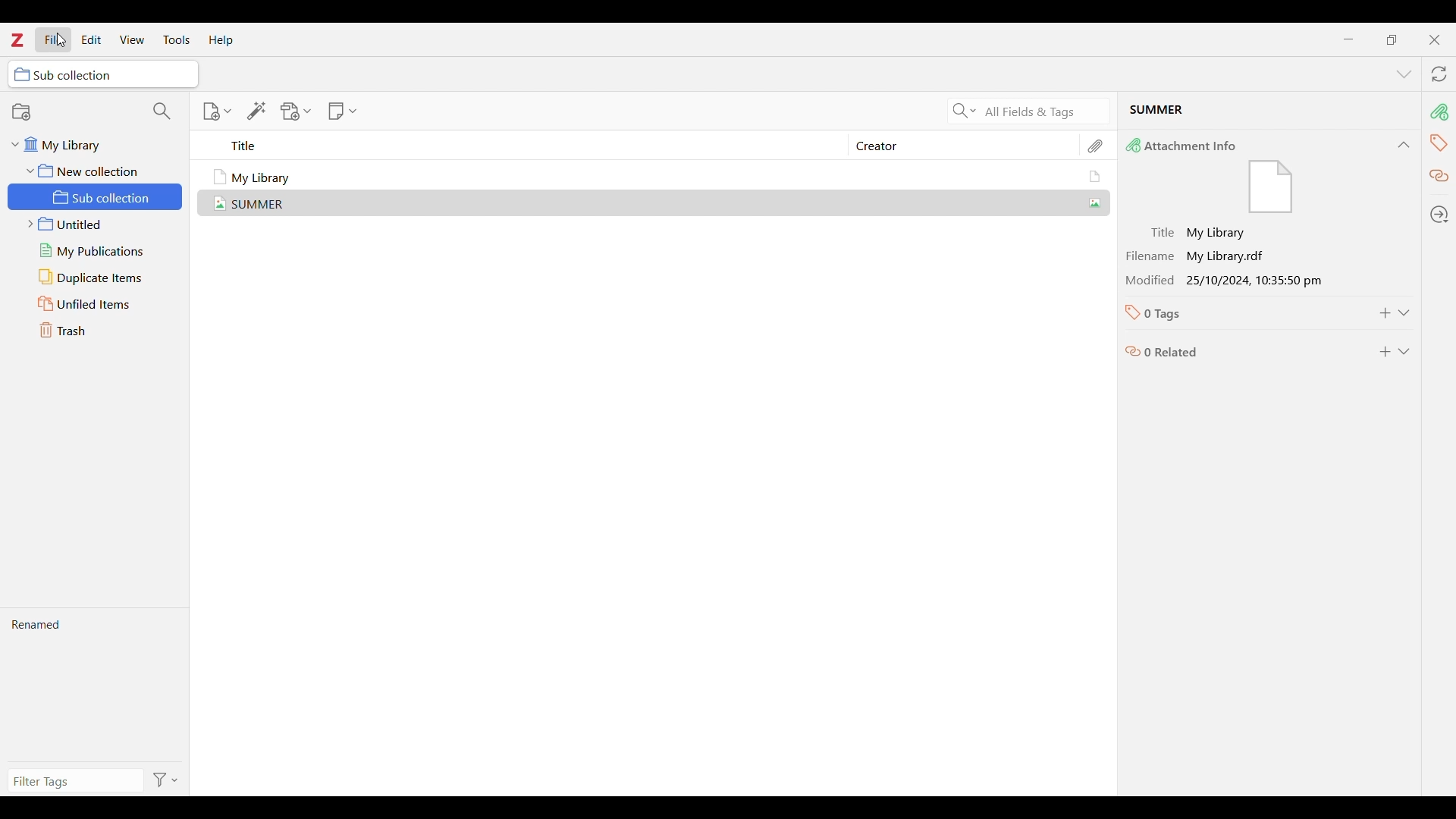 The width and height of the screenshot is (1456, 819). Describe the element at coordinates (1241, 280) in the screenshot. I see `Modification 25/10/2024 10:35:50 pm` at that location.